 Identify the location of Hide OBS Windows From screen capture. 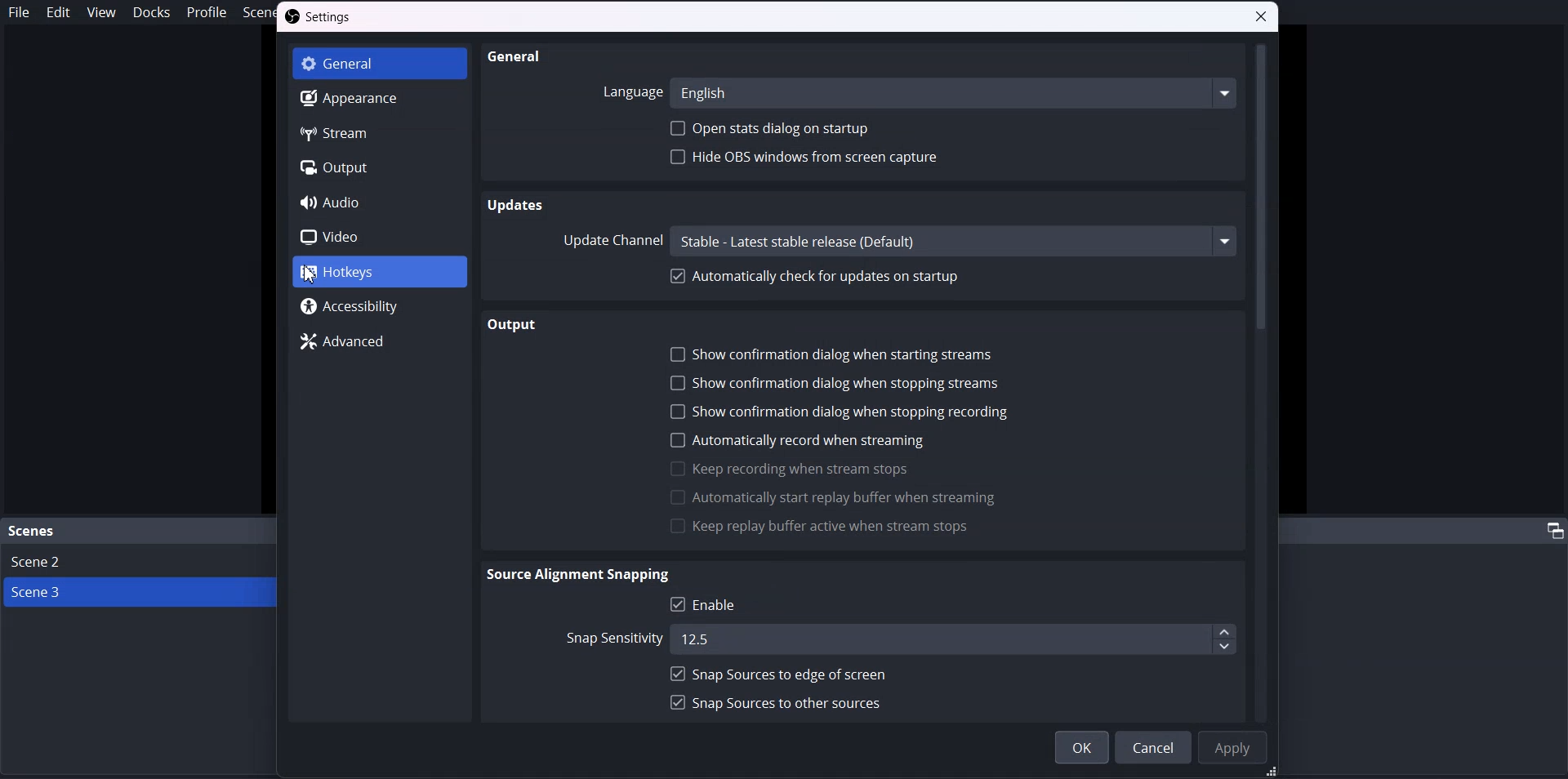
(802, 156).